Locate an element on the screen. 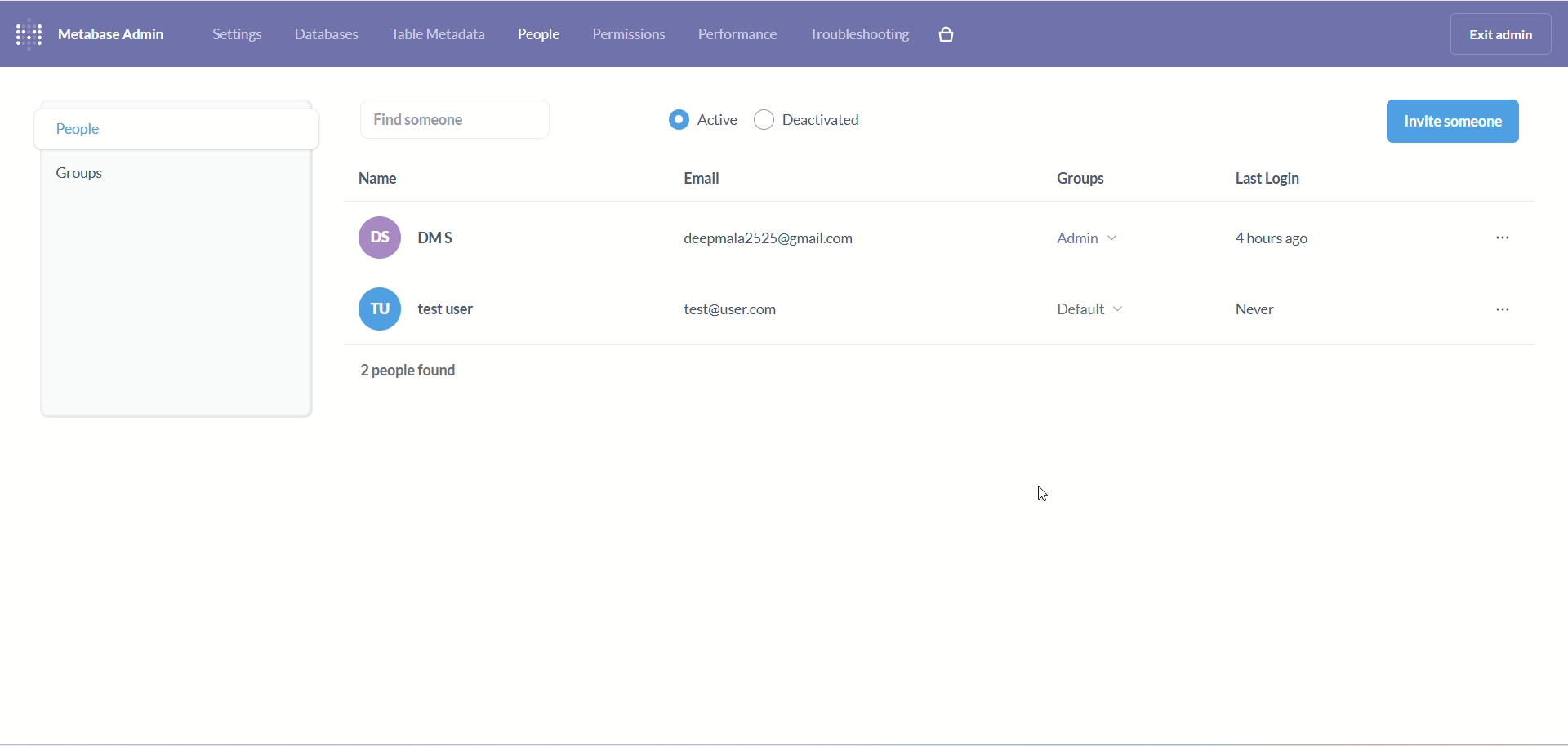 Image resolution: width=1568 pixels, height=746 pixels. group is located at coordinates (78, 178).